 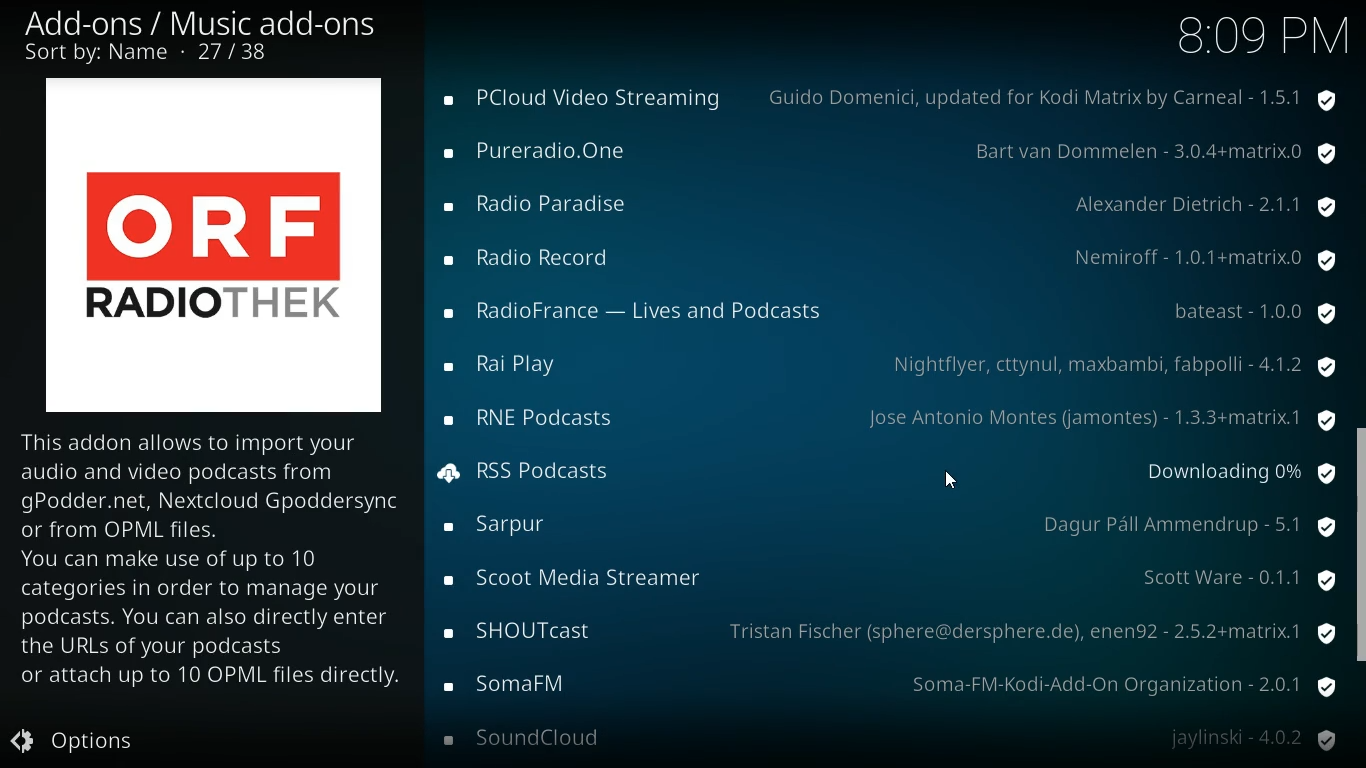 I want to click on Sarpur, so click(x=505, y=527).